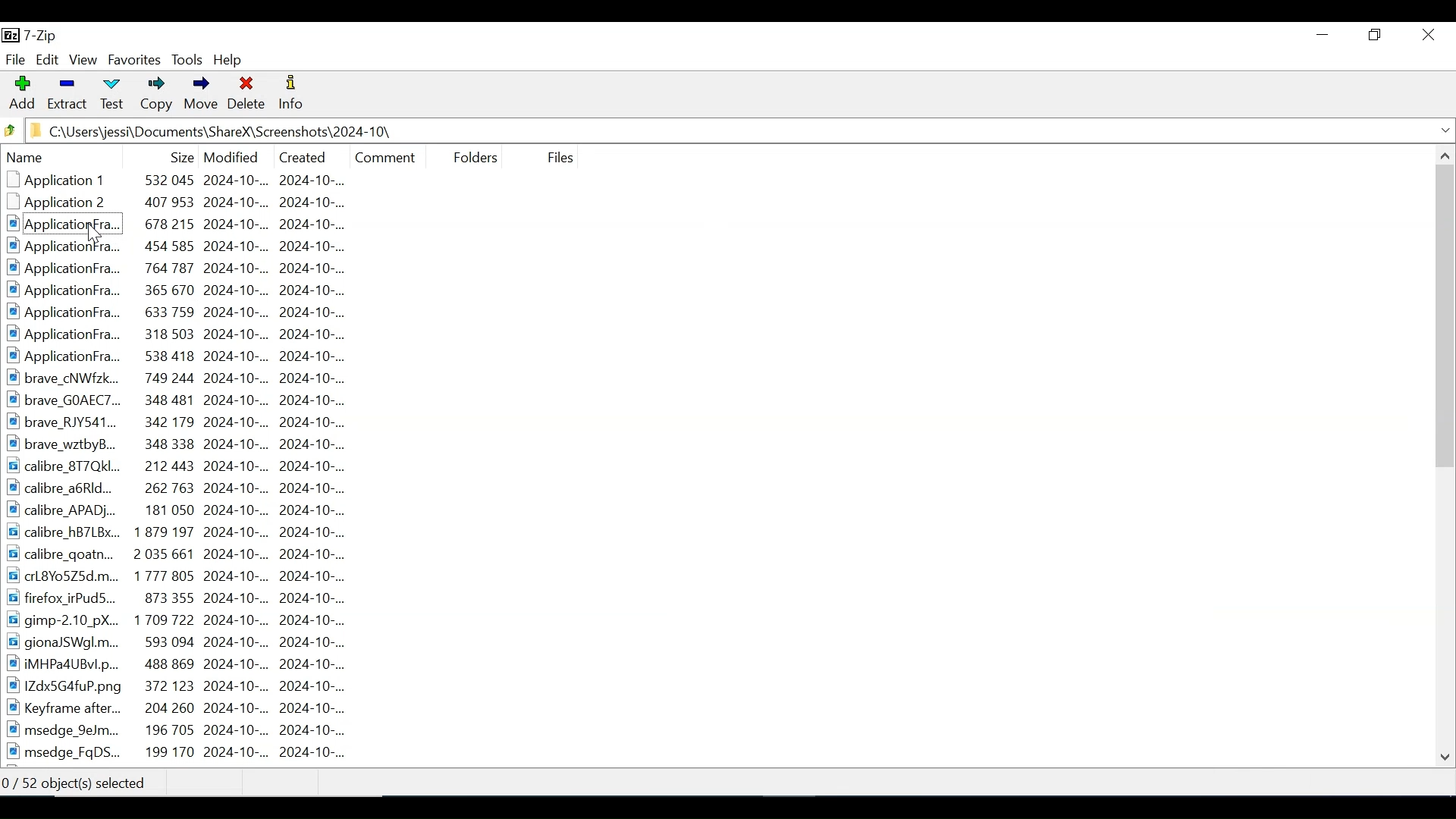 The height and width of the screenshot is (819, 1456). What do you see at coordinates (1323, 34) in the screenshot?
I see `Minimize` at bounding box center [1323, 34].